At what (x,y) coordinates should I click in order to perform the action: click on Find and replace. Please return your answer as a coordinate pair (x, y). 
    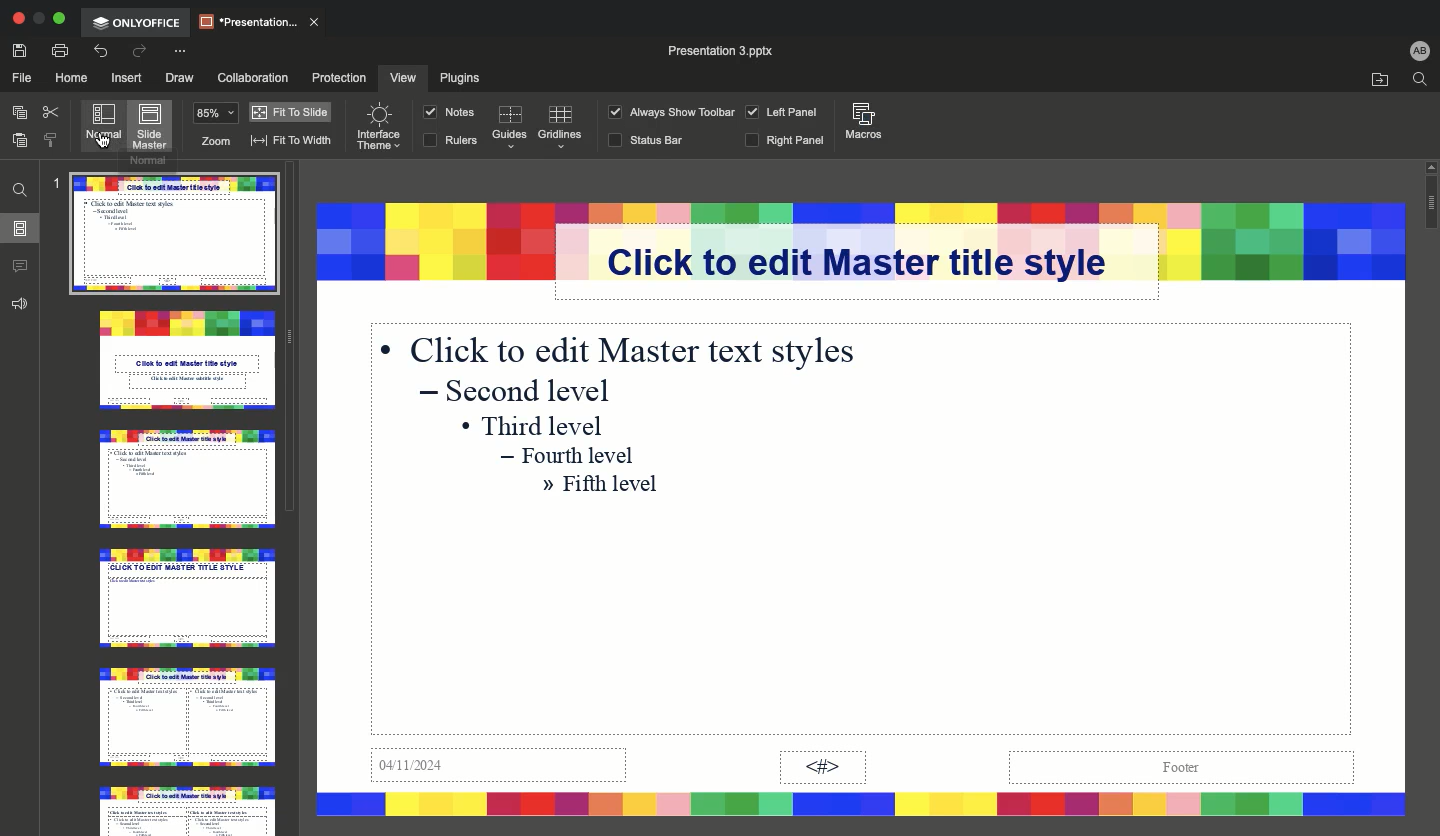
    Looking at the image, I should click on (21, 188).